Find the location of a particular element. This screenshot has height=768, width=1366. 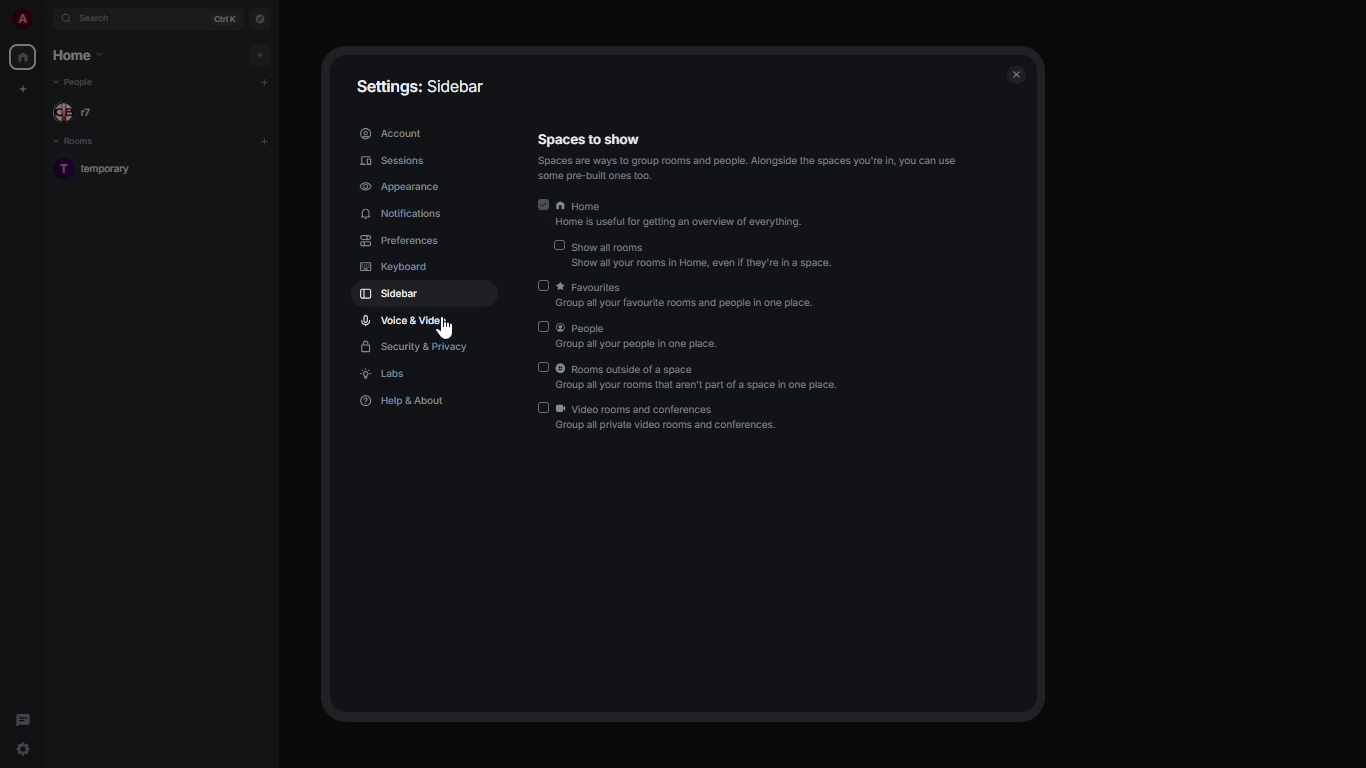

appearance is located at coordinates (398, 188).